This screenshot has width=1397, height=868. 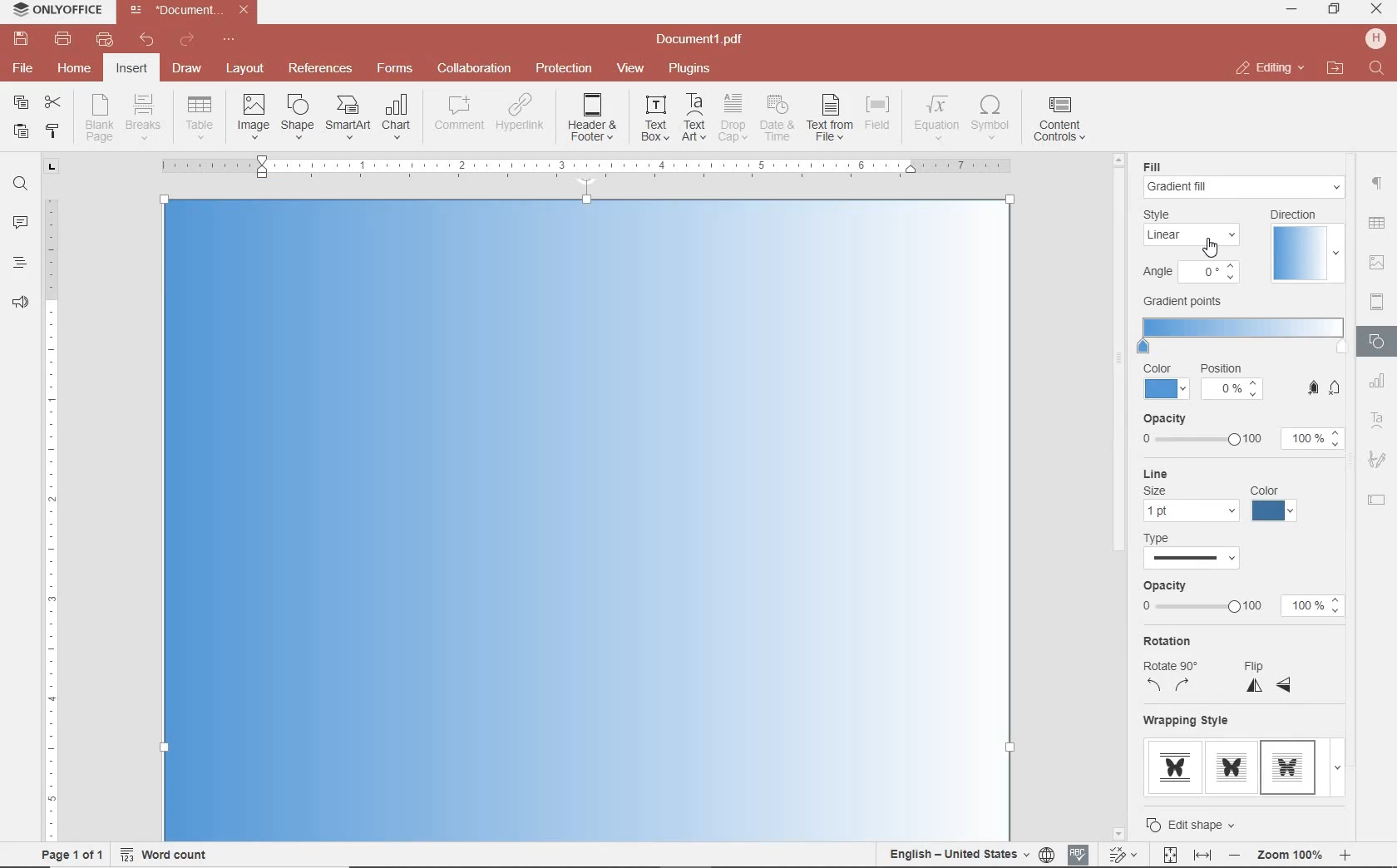 What do you see at coordinates (1243, 168) in the screenshot?
I see `` at bounding box center [1243, 168].